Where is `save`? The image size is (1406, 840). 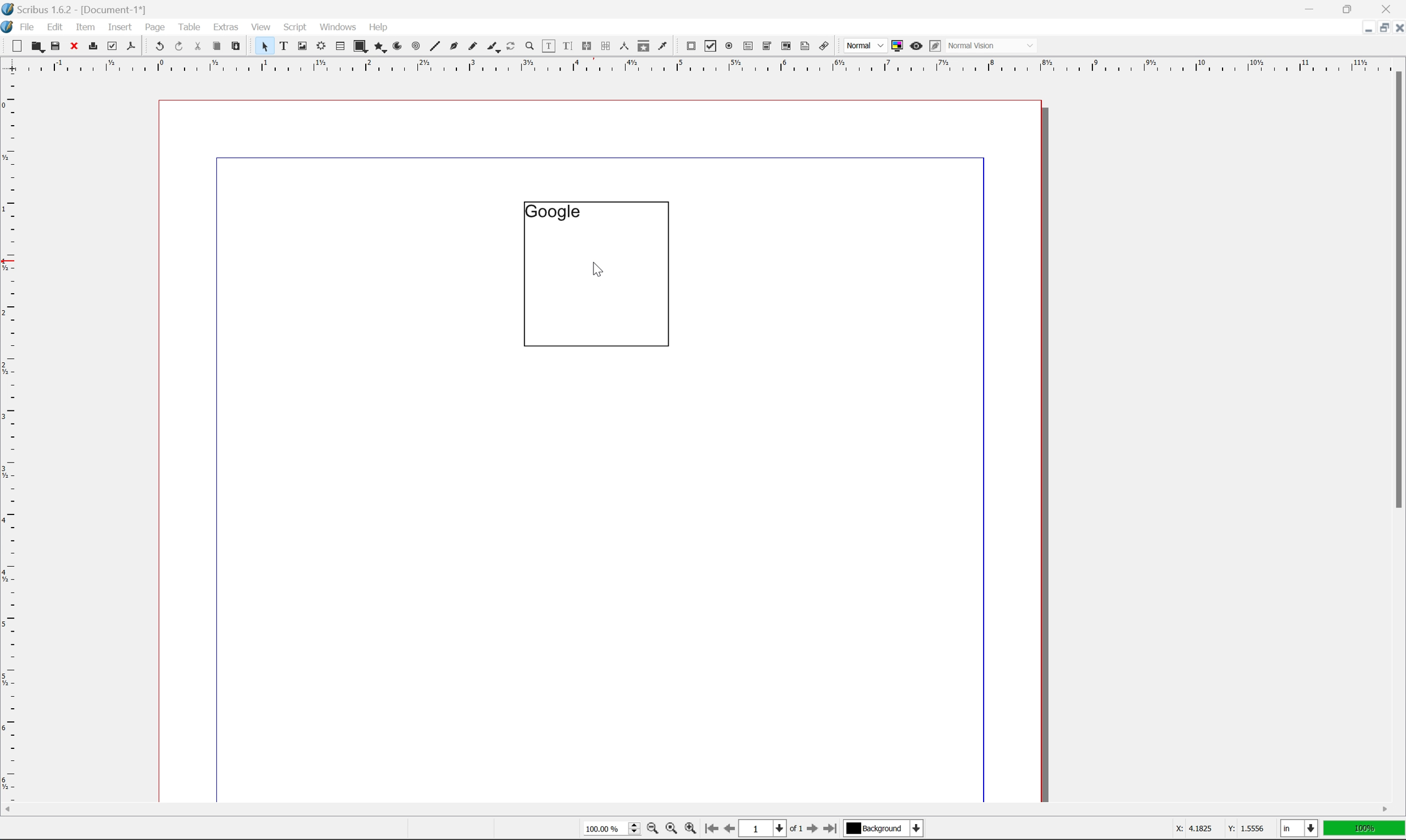 save is located at coordinates (55, 46).